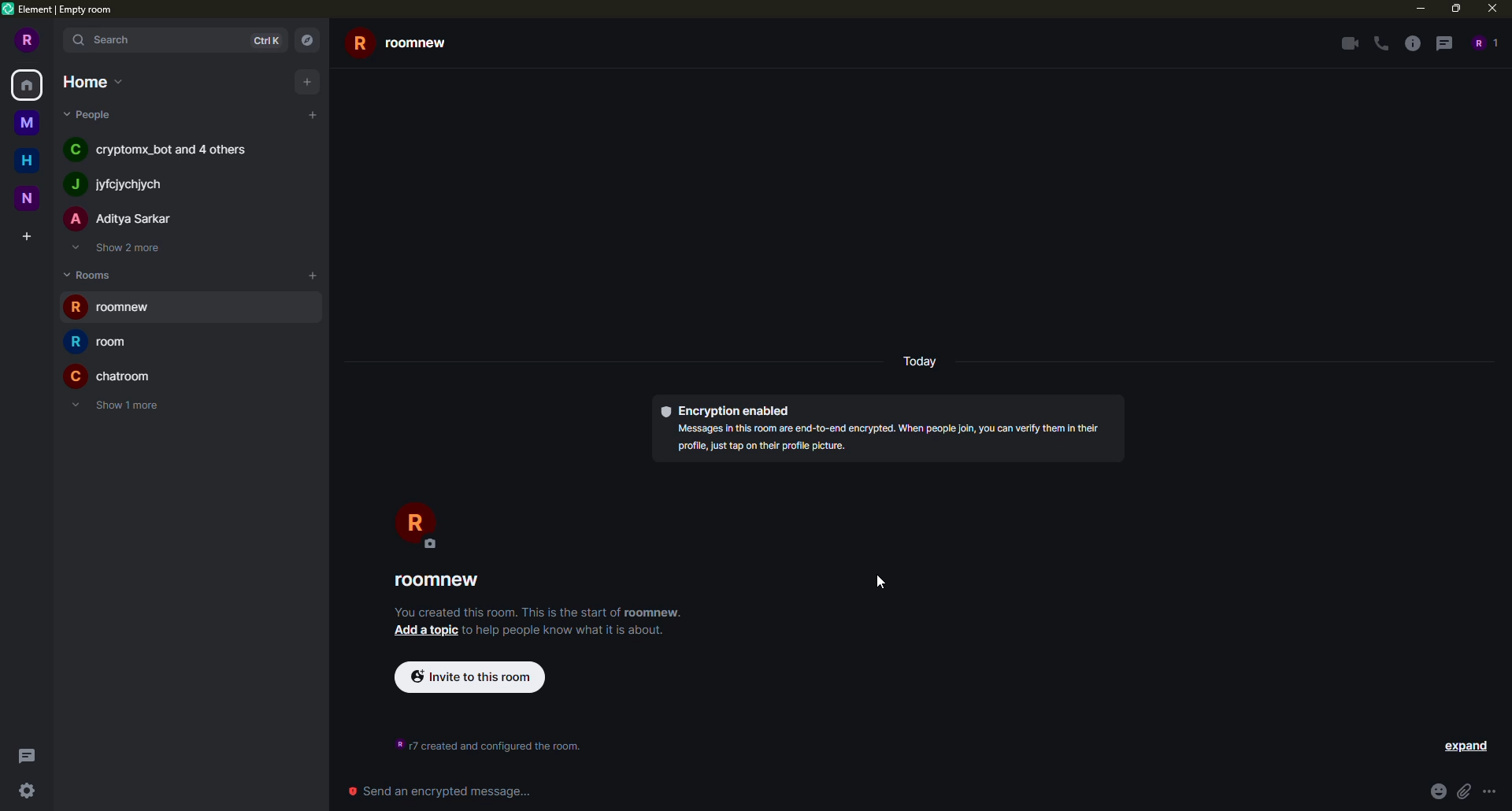  What do you see at coordinates (119, 406) in the screenshot?
I see `show 1 more` at bounding box center [119, 406].